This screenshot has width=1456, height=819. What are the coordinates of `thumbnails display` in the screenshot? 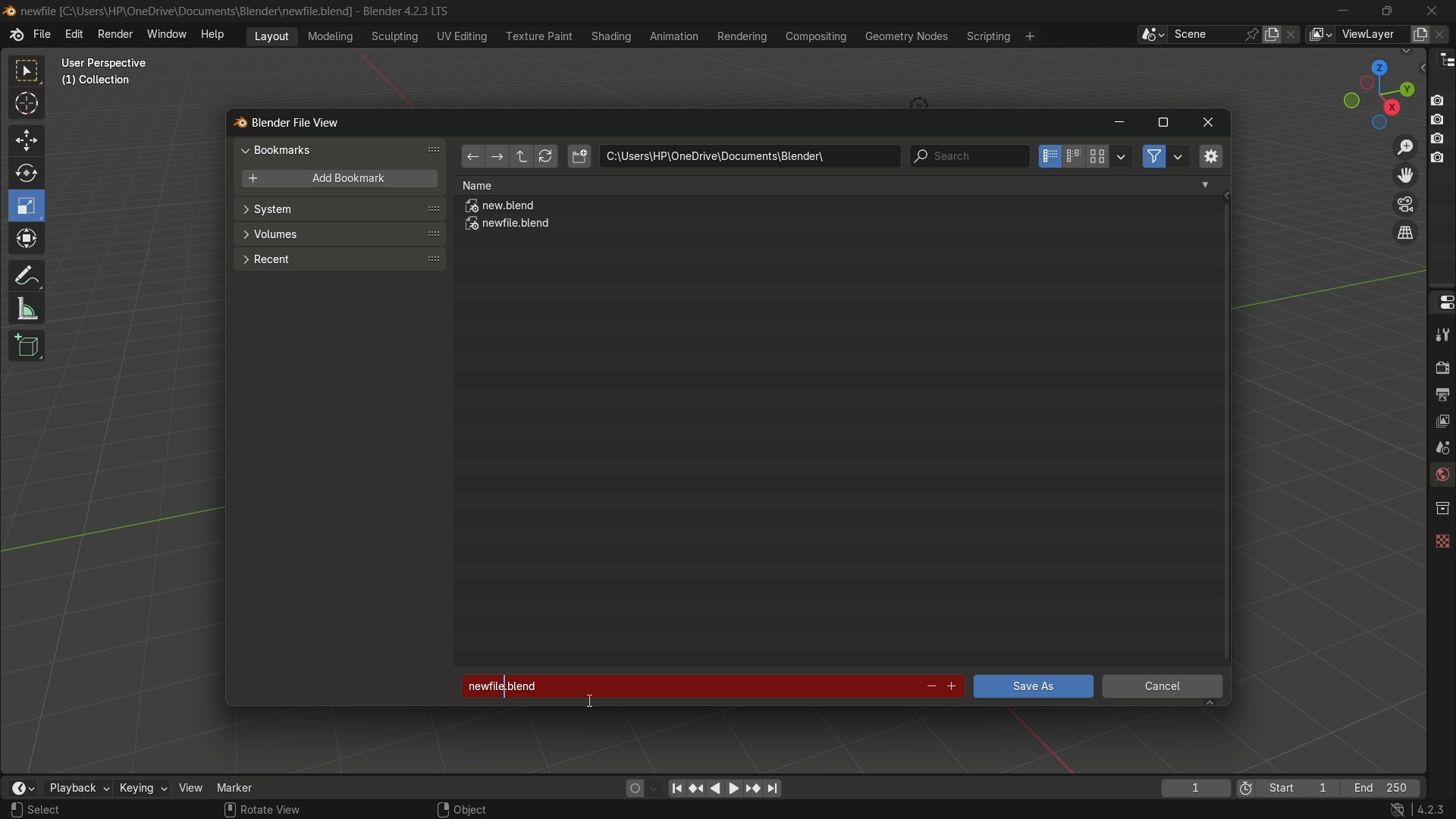 It's located at (1098, 157).